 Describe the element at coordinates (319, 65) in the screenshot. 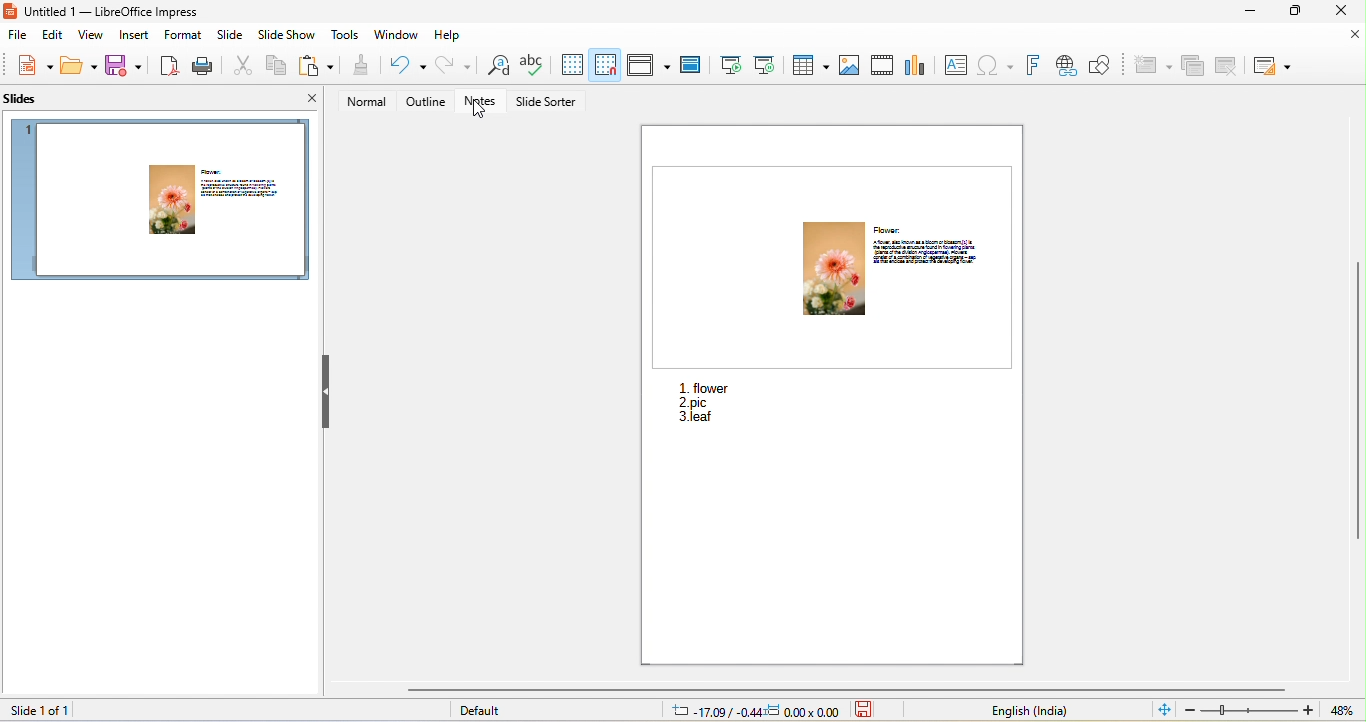

I see `paste` at that location.